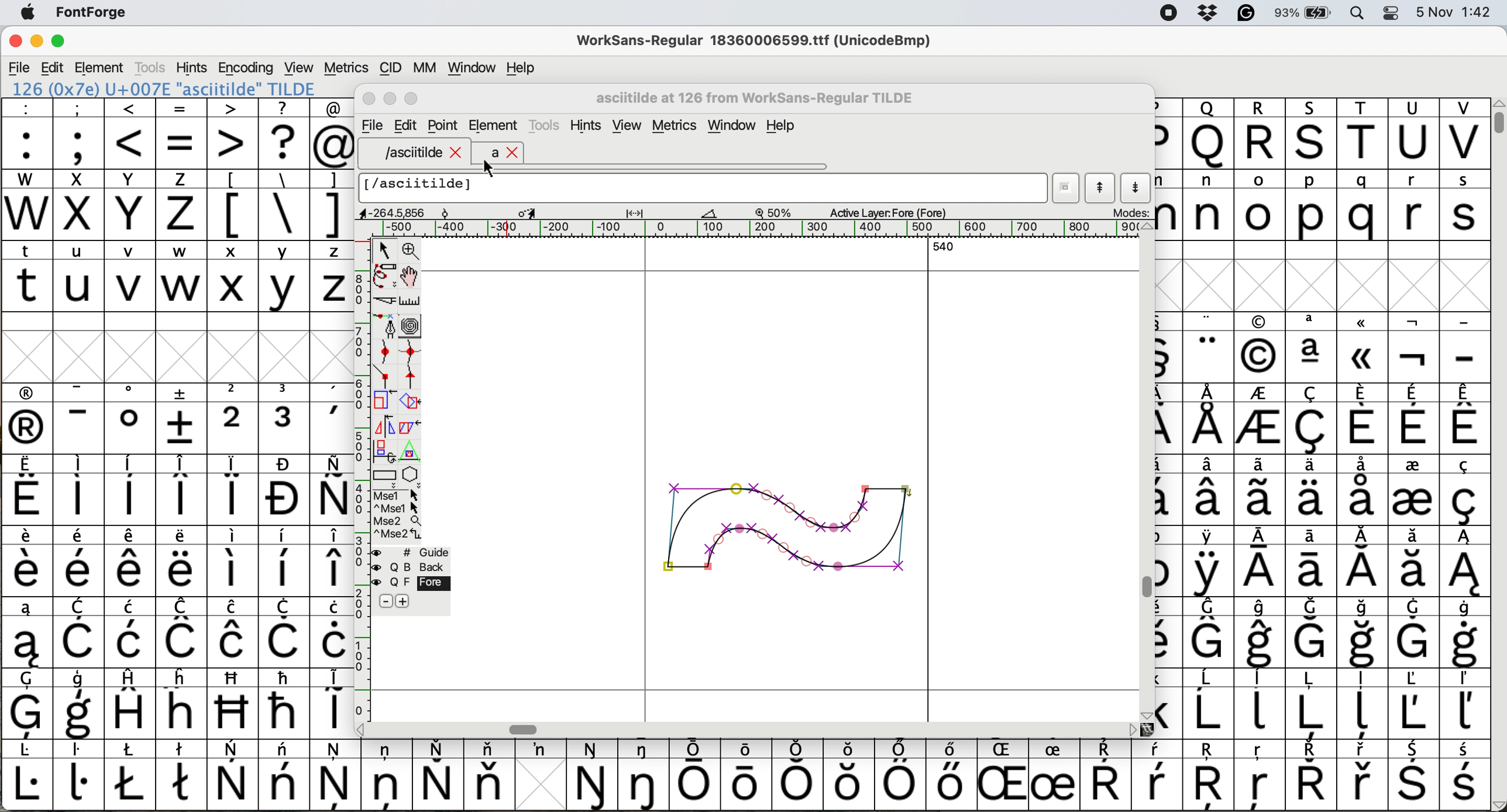  What do you see at coordinates (297, 66) in the screenshot?
I see `view` at bounding box center [297, 66].